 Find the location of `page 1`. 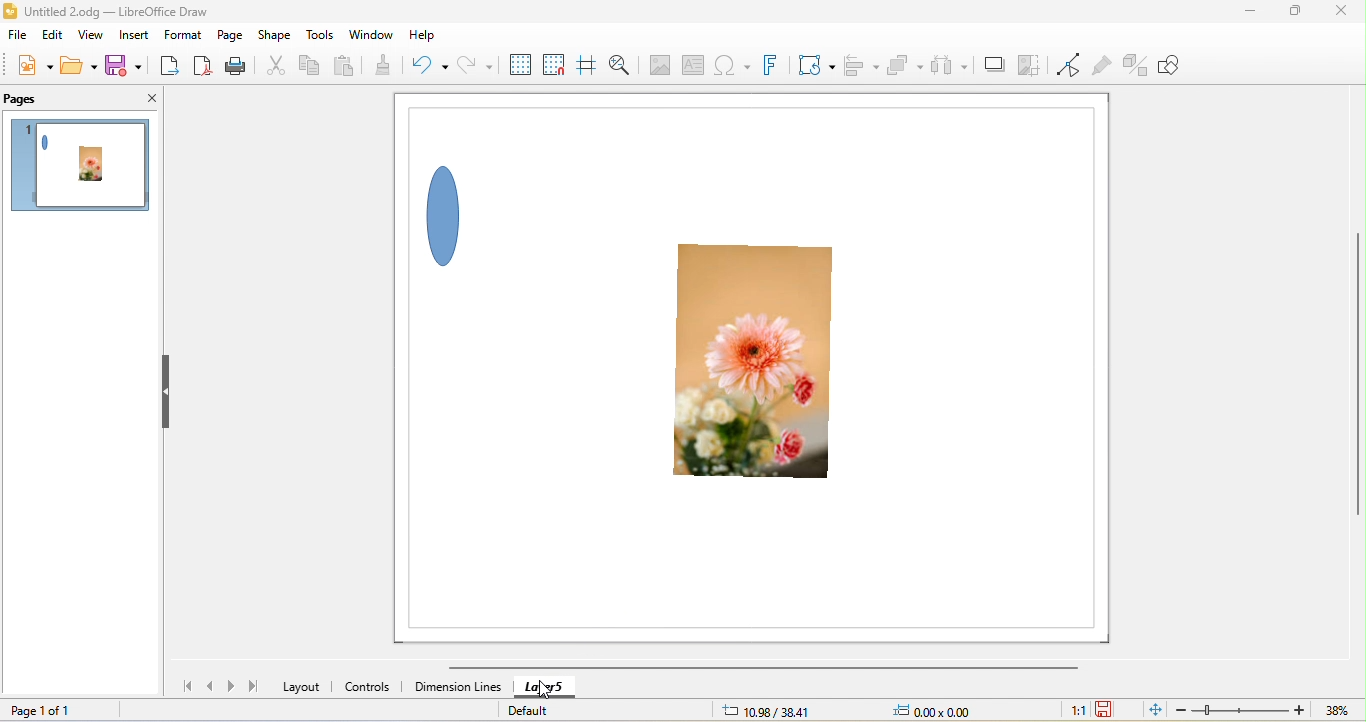

page 1 is located at coordinates (84, 169).